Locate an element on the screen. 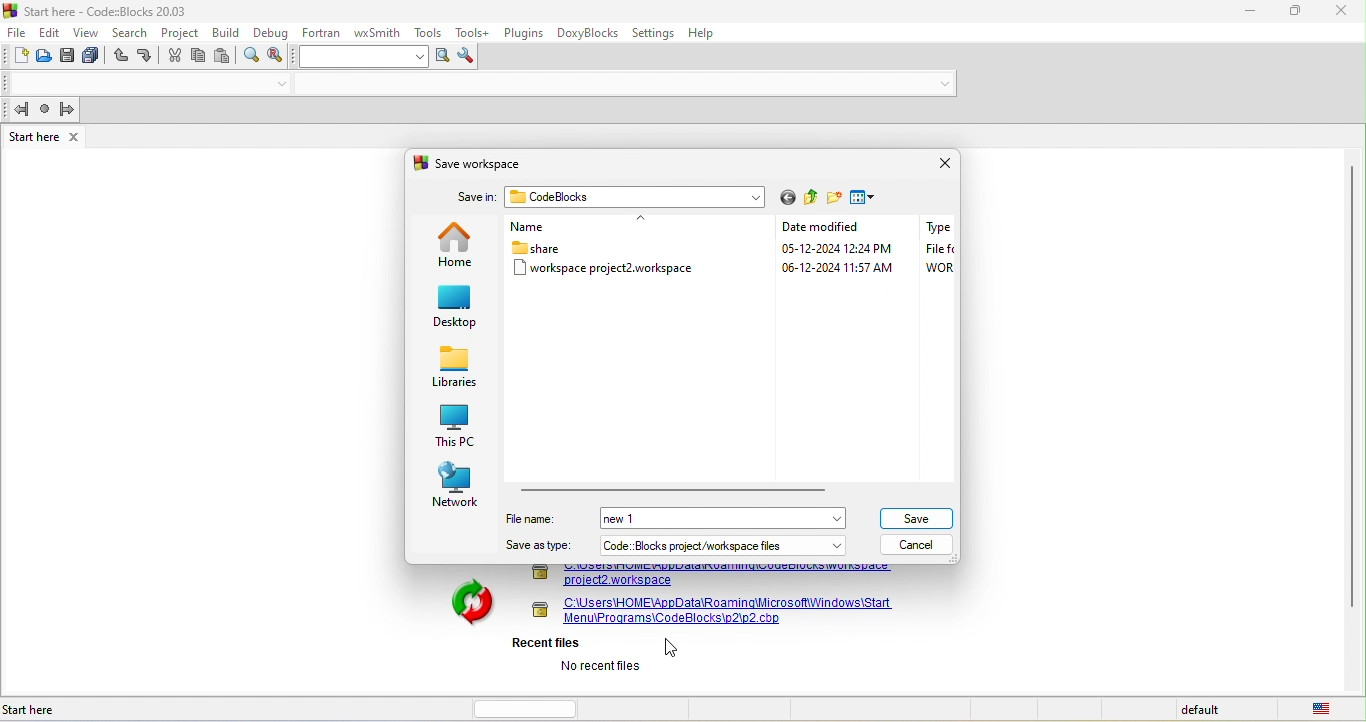  Code: Blocks project/workspace files  is located at coordinates (724, 545).